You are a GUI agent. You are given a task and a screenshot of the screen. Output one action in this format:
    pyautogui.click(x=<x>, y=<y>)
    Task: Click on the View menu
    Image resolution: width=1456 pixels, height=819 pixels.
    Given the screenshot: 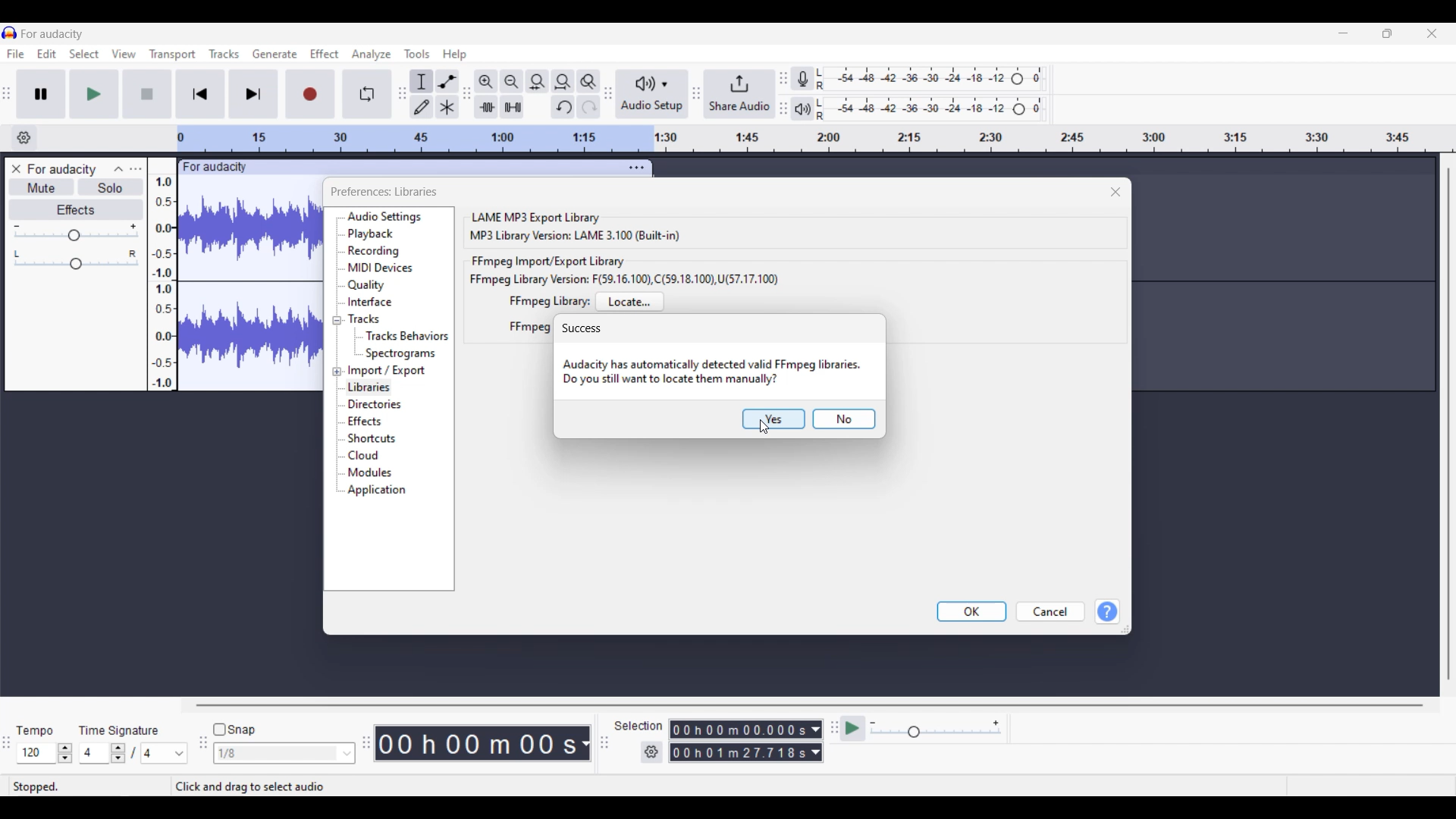 What is the action you would take?
    pyautogui.click(x=123, y=53)
    